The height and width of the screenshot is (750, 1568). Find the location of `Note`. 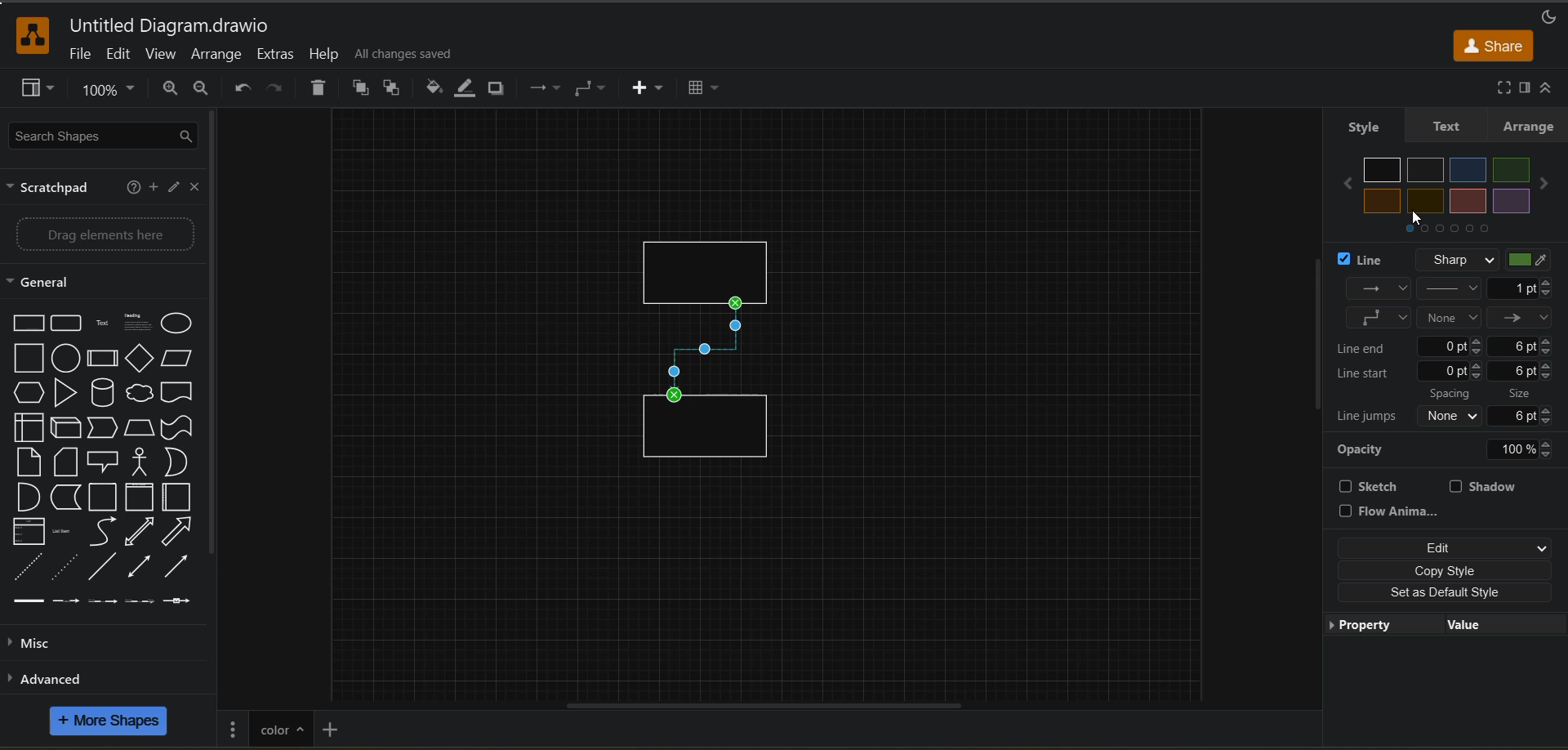

Note is located at coordinates (67, 461).